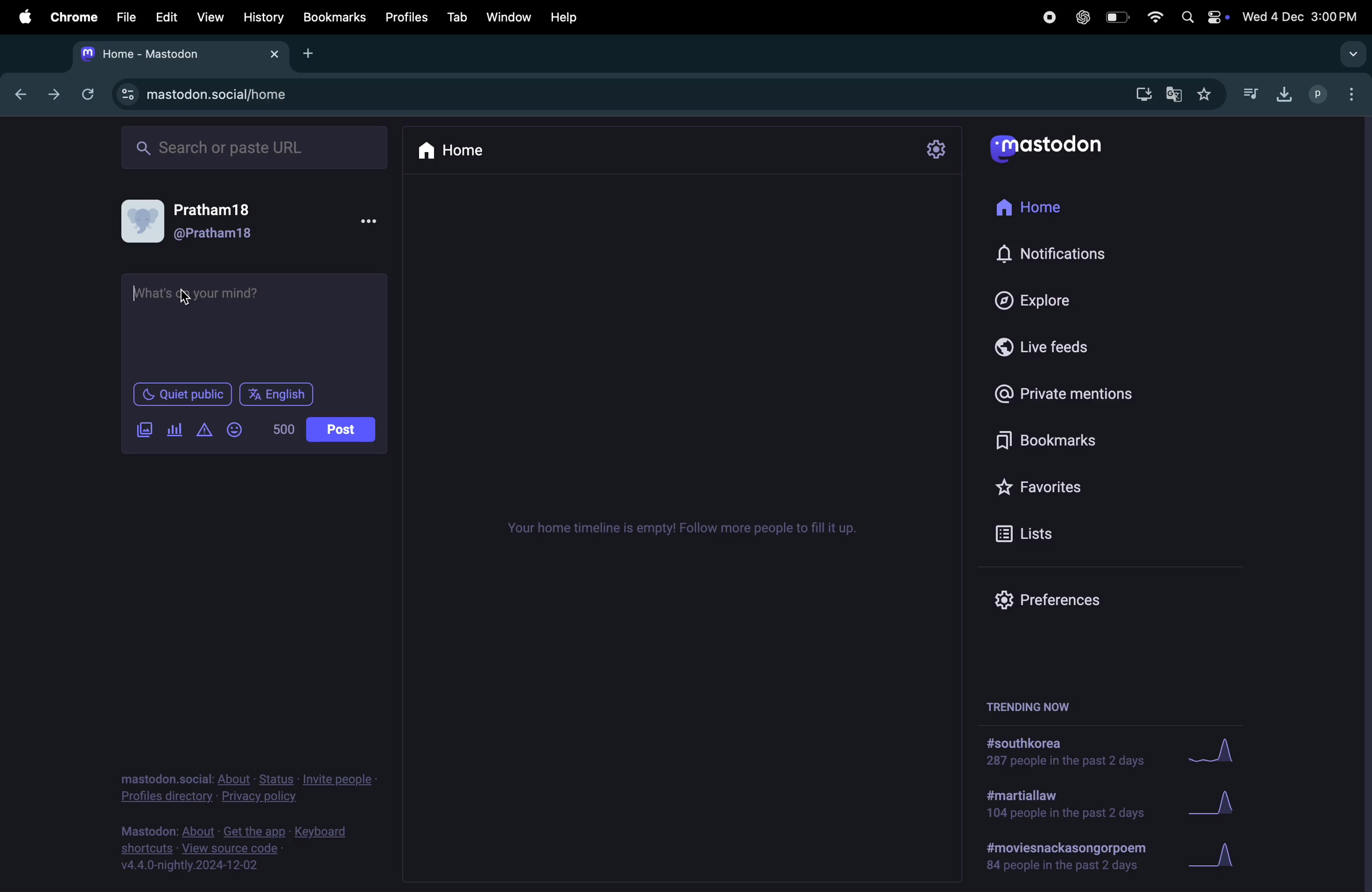 Image resolution: width=1372 pixels, height=892 pixels. What do you see at coordinates (1049, 18) in the screenshot?
I see `record` at bounding box center [1049, 18].